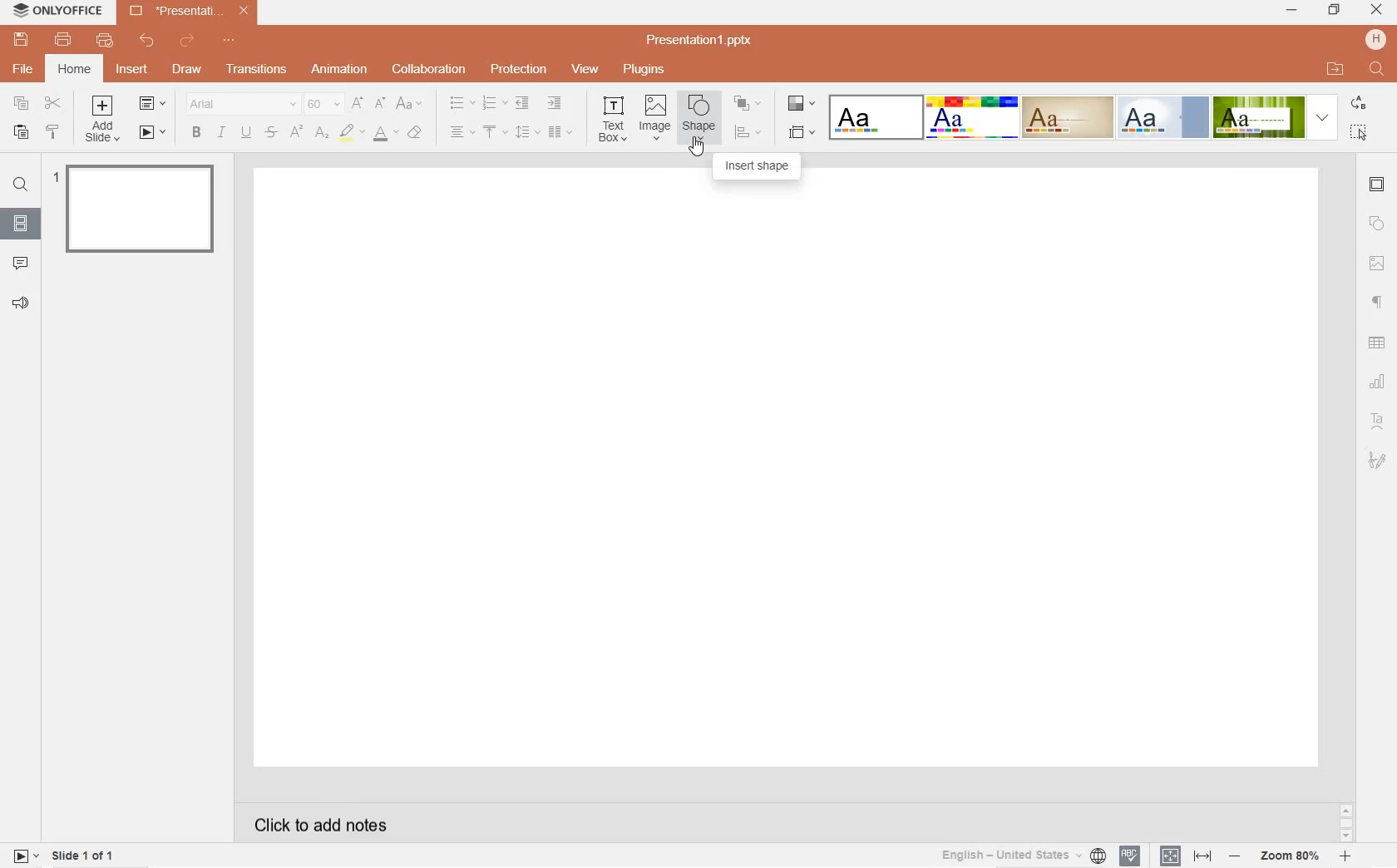 This screenshot has height=868, width=1397. Describe the element at coordinates (1360, 132) in the screenshot. I see `select all` at that location.